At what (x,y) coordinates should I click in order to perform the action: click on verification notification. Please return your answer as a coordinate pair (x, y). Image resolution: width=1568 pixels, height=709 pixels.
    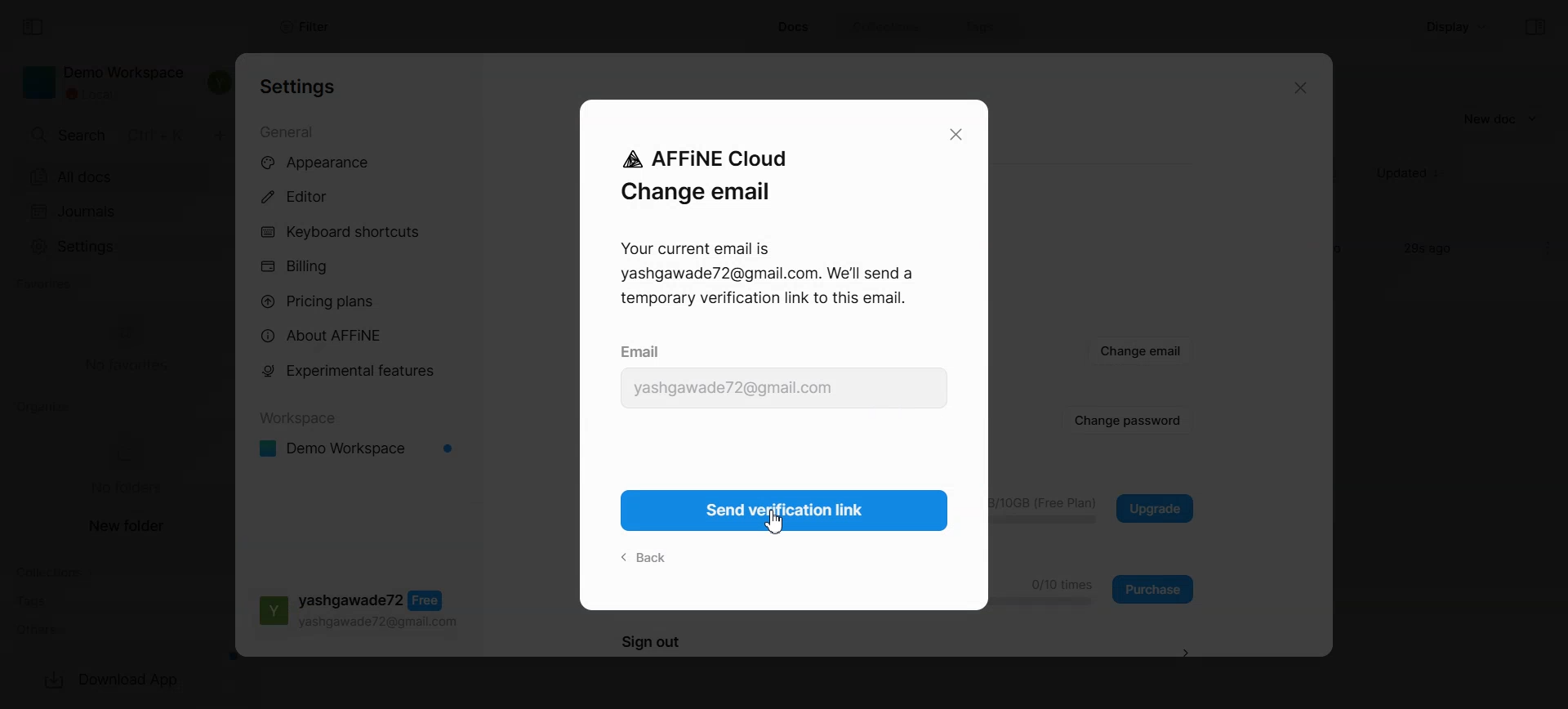
    Looking at the image, I should click on (769, 279).